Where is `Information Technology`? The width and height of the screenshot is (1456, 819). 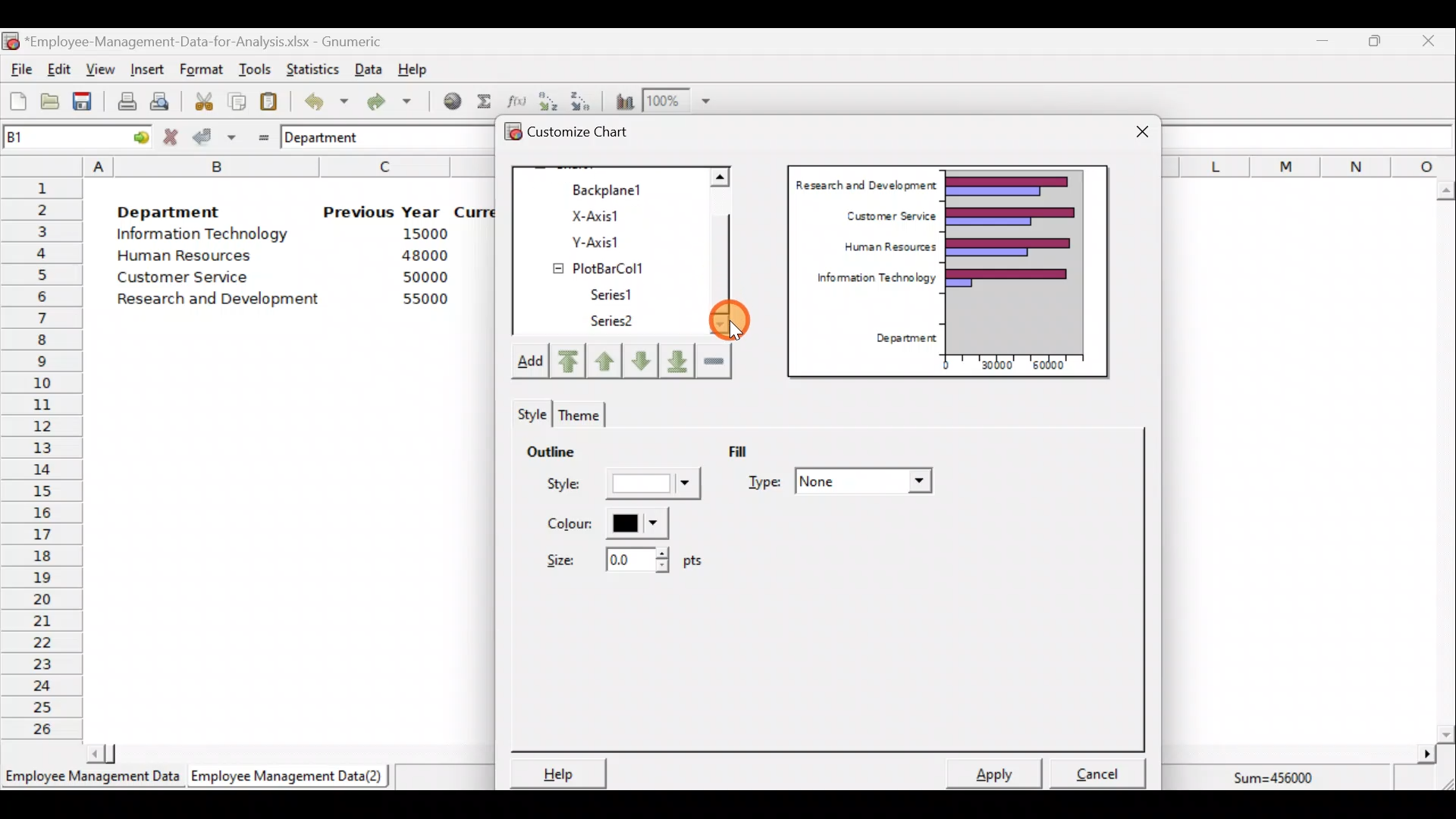
Information Technology is located at coordinates (205, 234).